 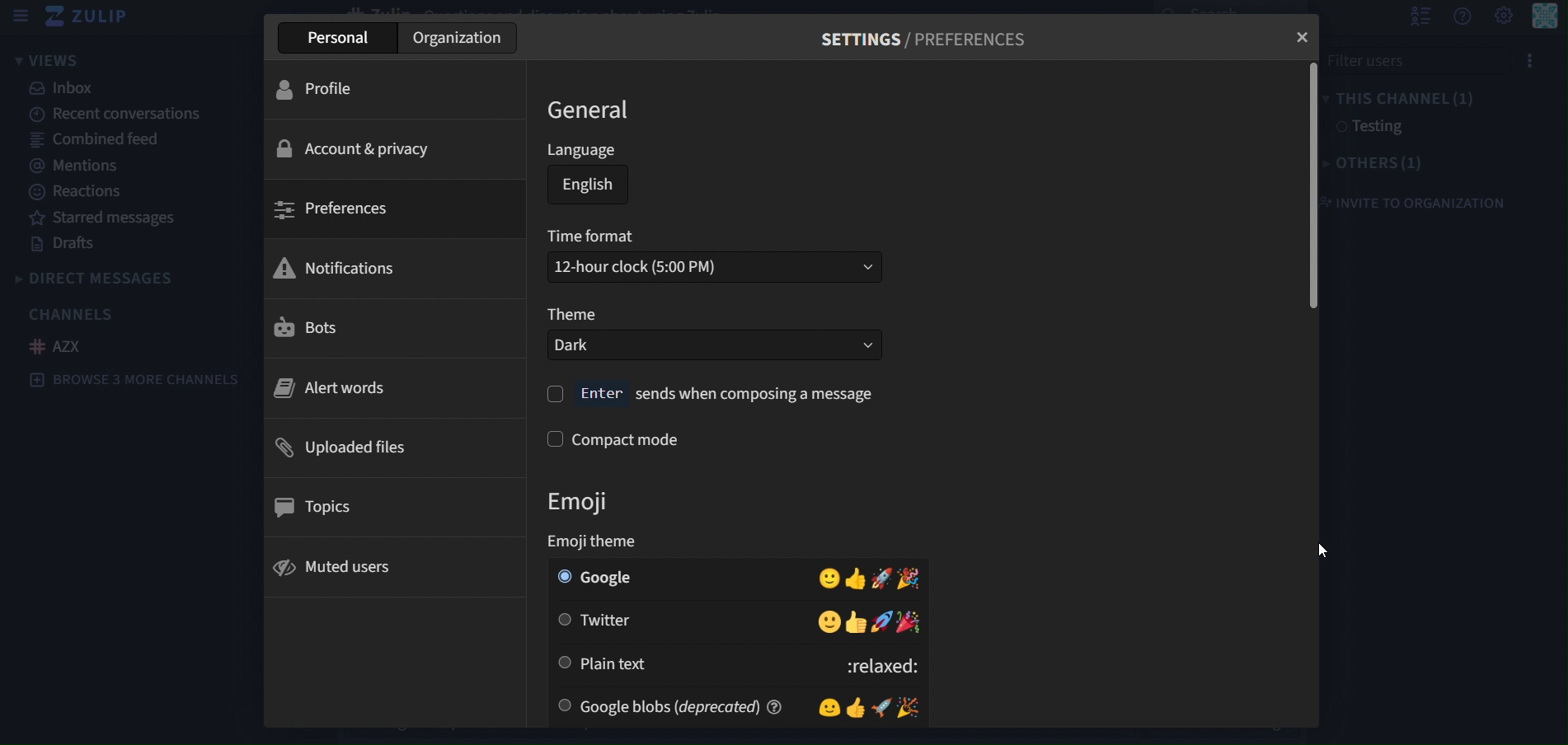 What do you see at coordinates (733, 394) in the screenshot?
I see `Enter sends when composing a message` at bounding box center [733, 394].